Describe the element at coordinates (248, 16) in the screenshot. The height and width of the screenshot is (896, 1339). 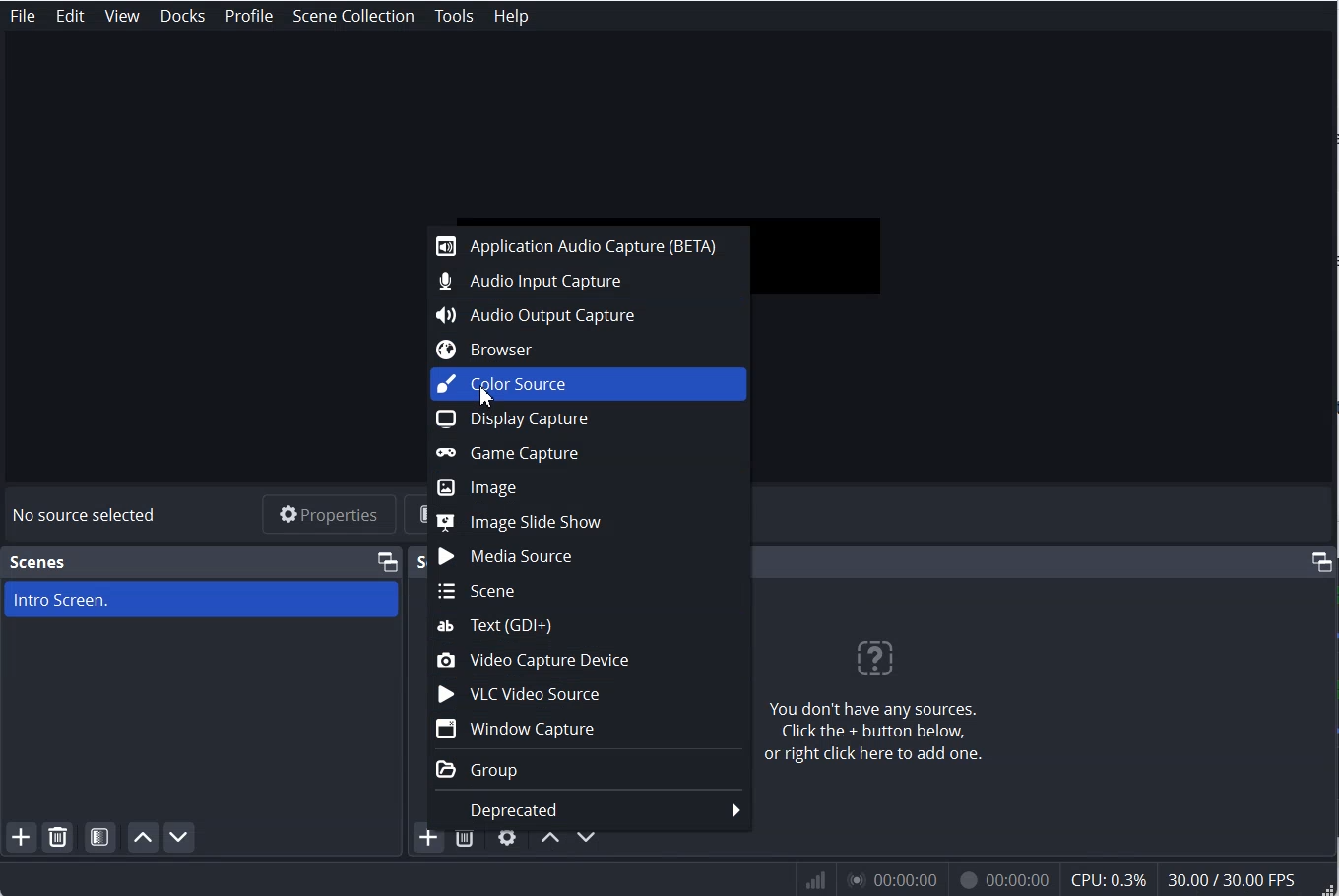
I see `Profile` at that location.